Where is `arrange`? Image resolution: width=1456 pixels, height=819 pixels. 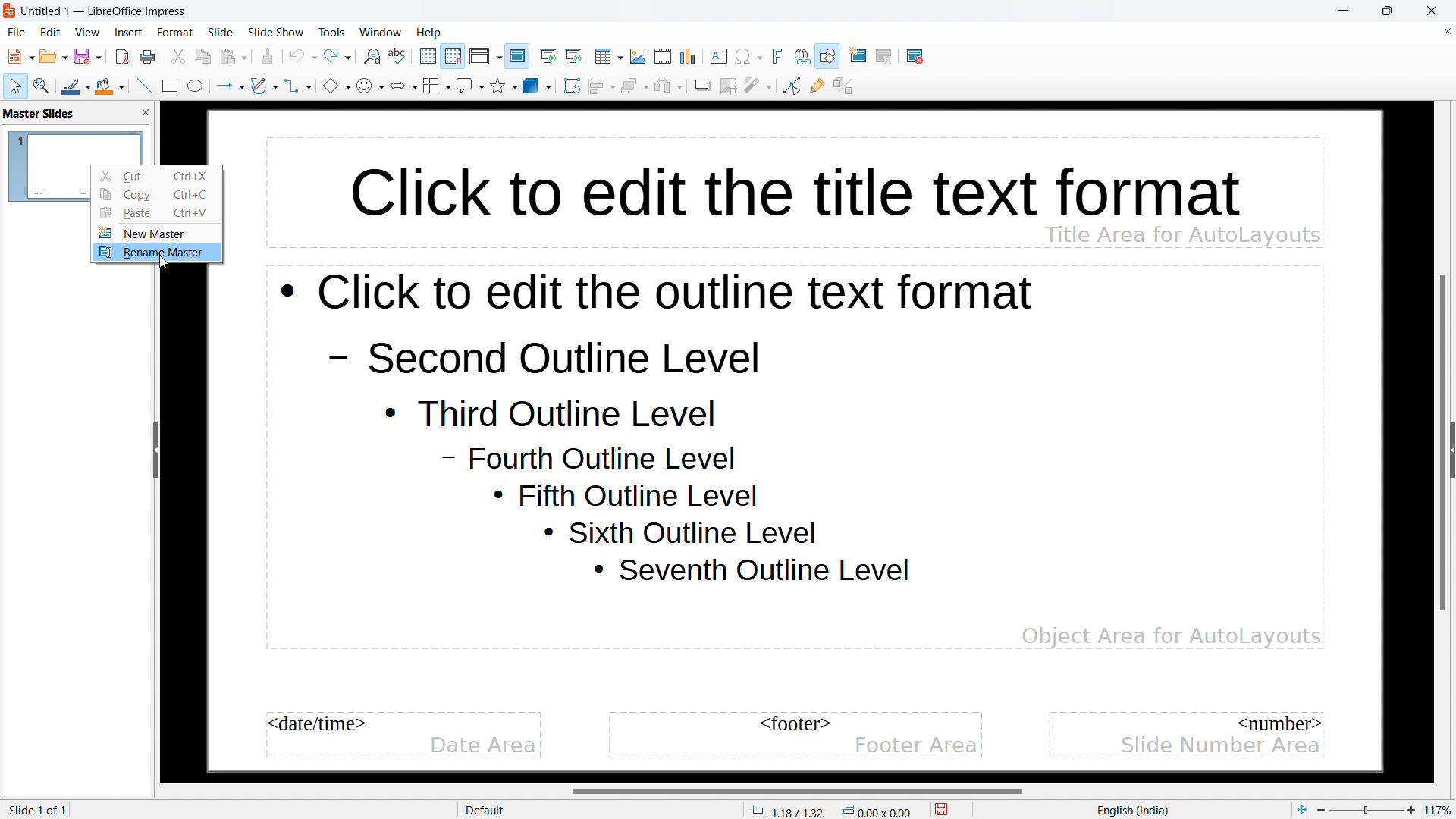 arrange is located at coordinates (634, 86).